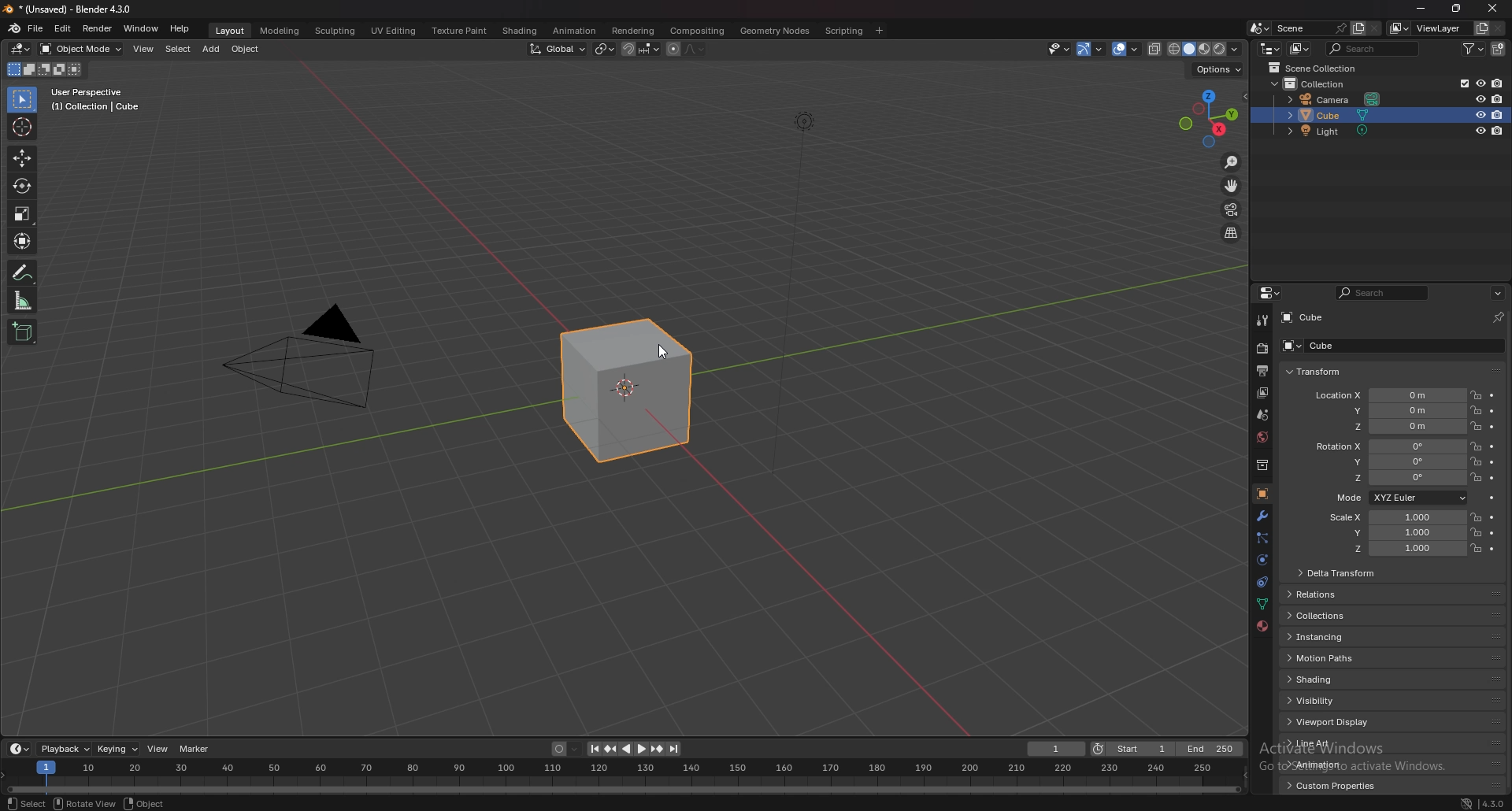  Describe the element at coordinates (1325, 595) in the screenshot. I see `relations` at that location.